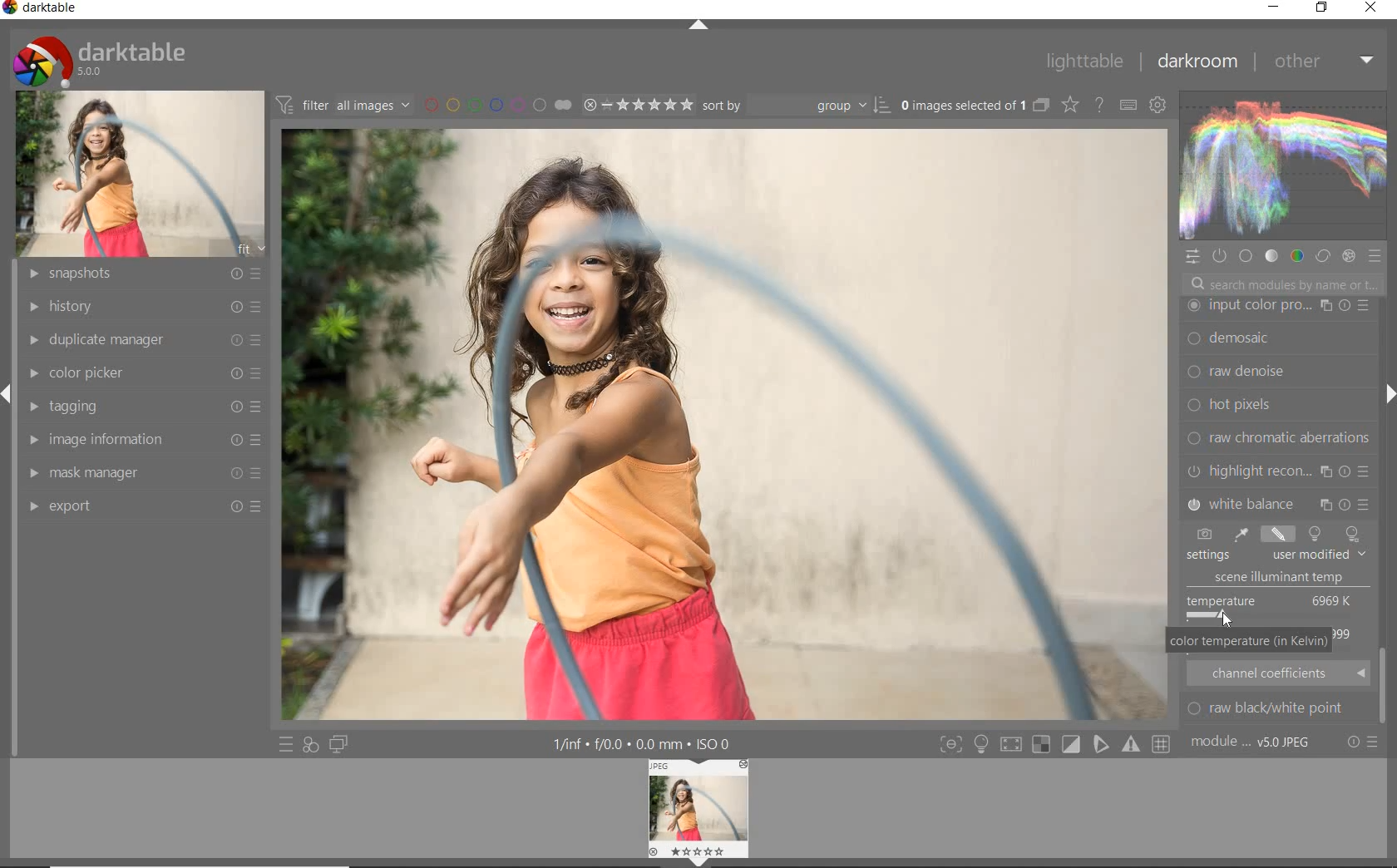 The width and height of the screenshot is (1397, 868). Describe the element at coordinates (1071, 105) in the screenshot. I see `change type for overlay` at that location.